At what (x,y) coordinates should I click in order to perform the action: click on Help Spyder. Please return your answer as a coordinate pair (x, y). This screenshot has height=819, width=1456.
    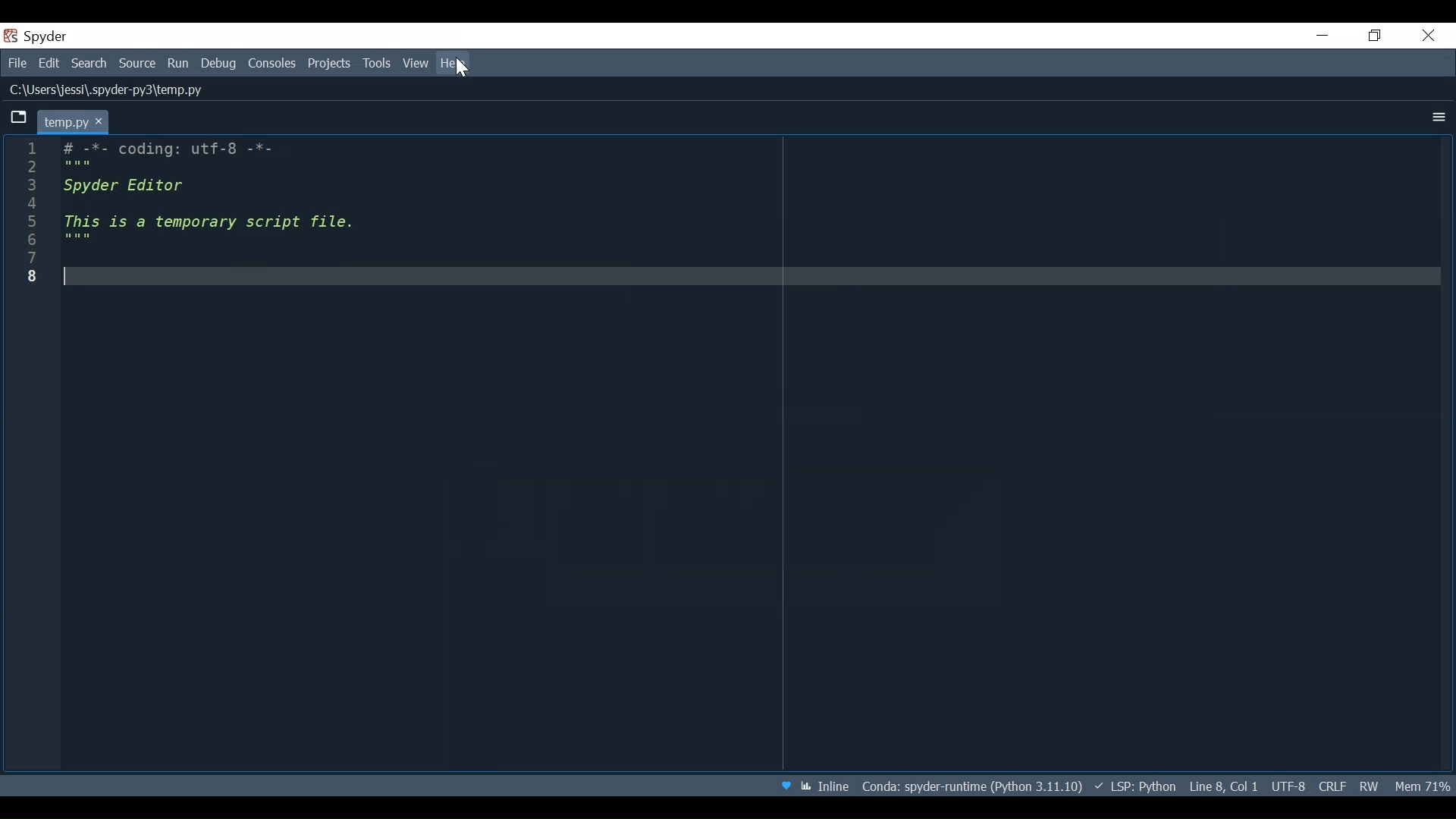
    Looking at the image, I should click on (786, 788).